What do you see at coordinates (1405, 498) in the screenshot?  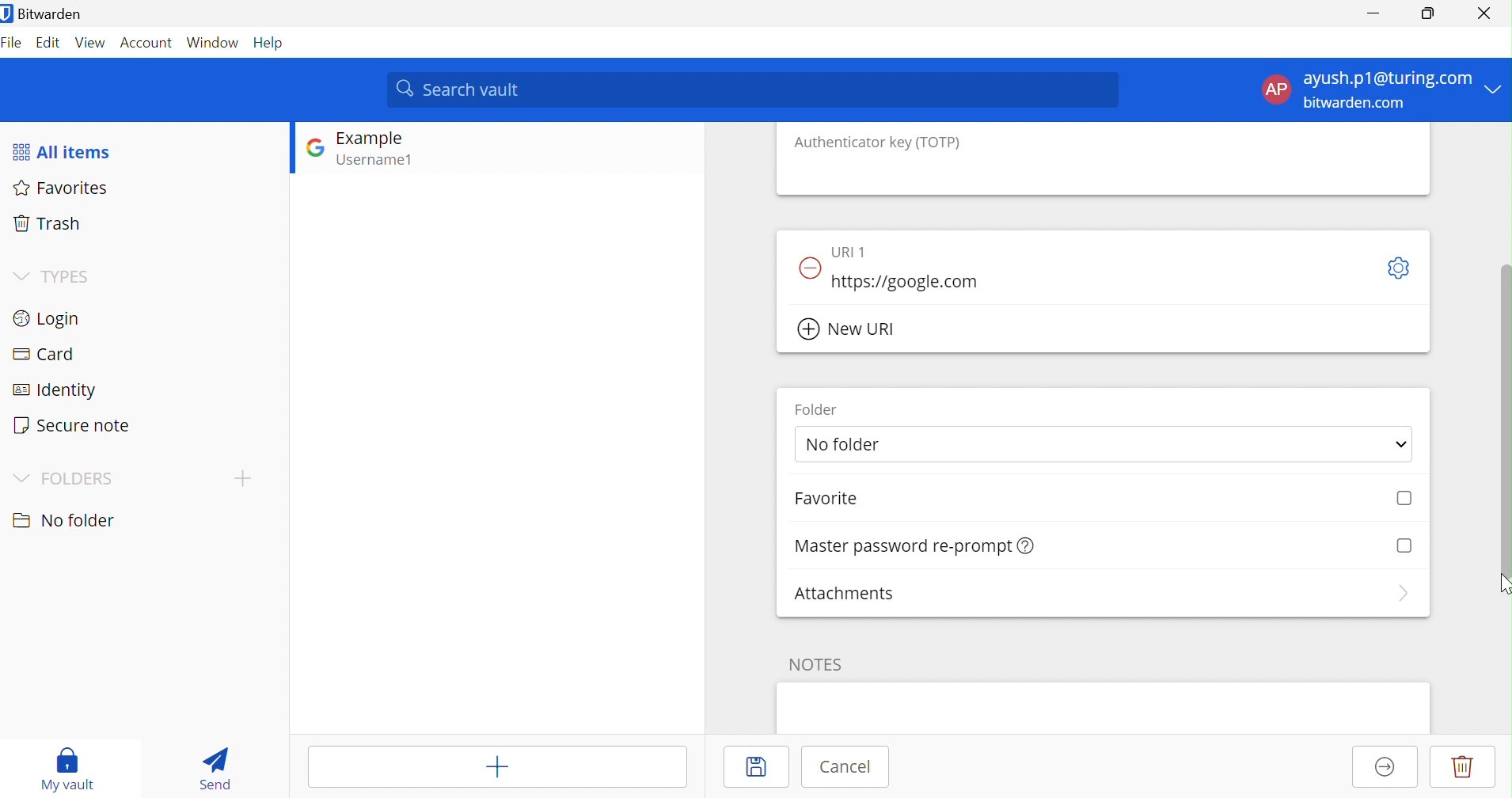 I see `Checkbox` at bounding box center [1405, 498].